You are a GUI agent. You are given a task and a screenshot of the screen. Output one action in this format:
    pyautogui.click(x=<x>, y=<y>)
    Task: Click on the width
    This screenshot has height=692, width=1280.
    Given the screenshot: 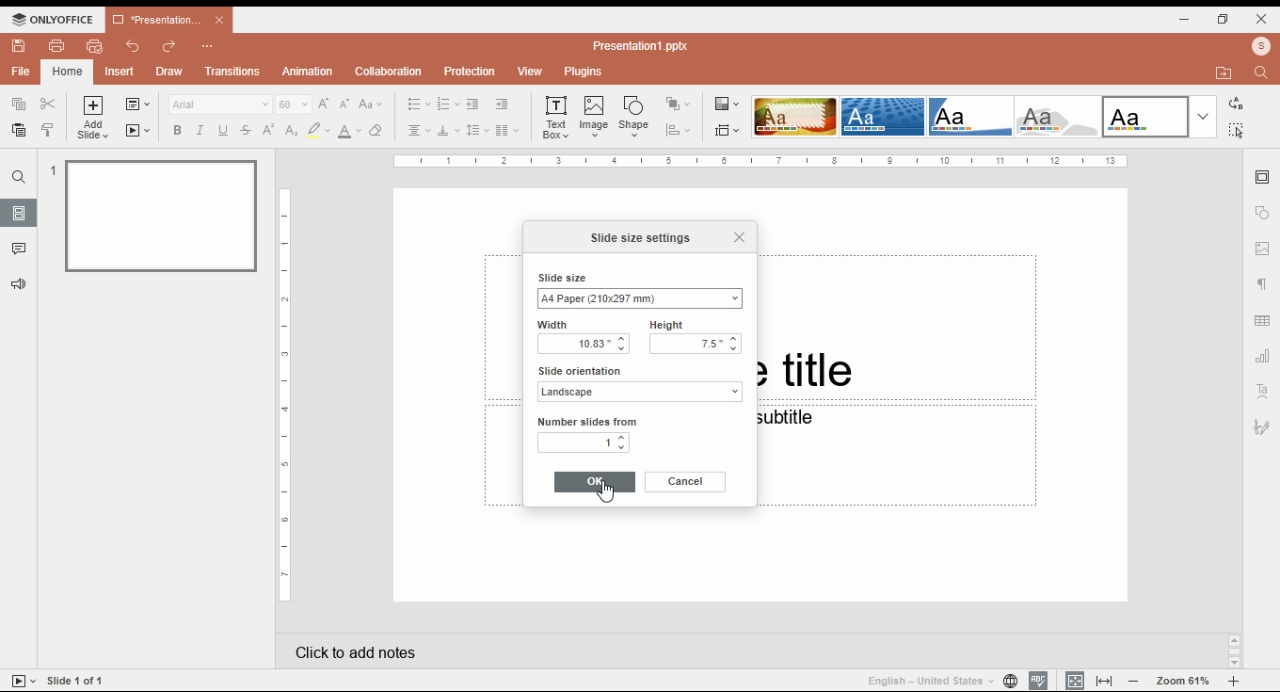 What is the action you would take?
    pyautogui.click(x=578, y=325)
    